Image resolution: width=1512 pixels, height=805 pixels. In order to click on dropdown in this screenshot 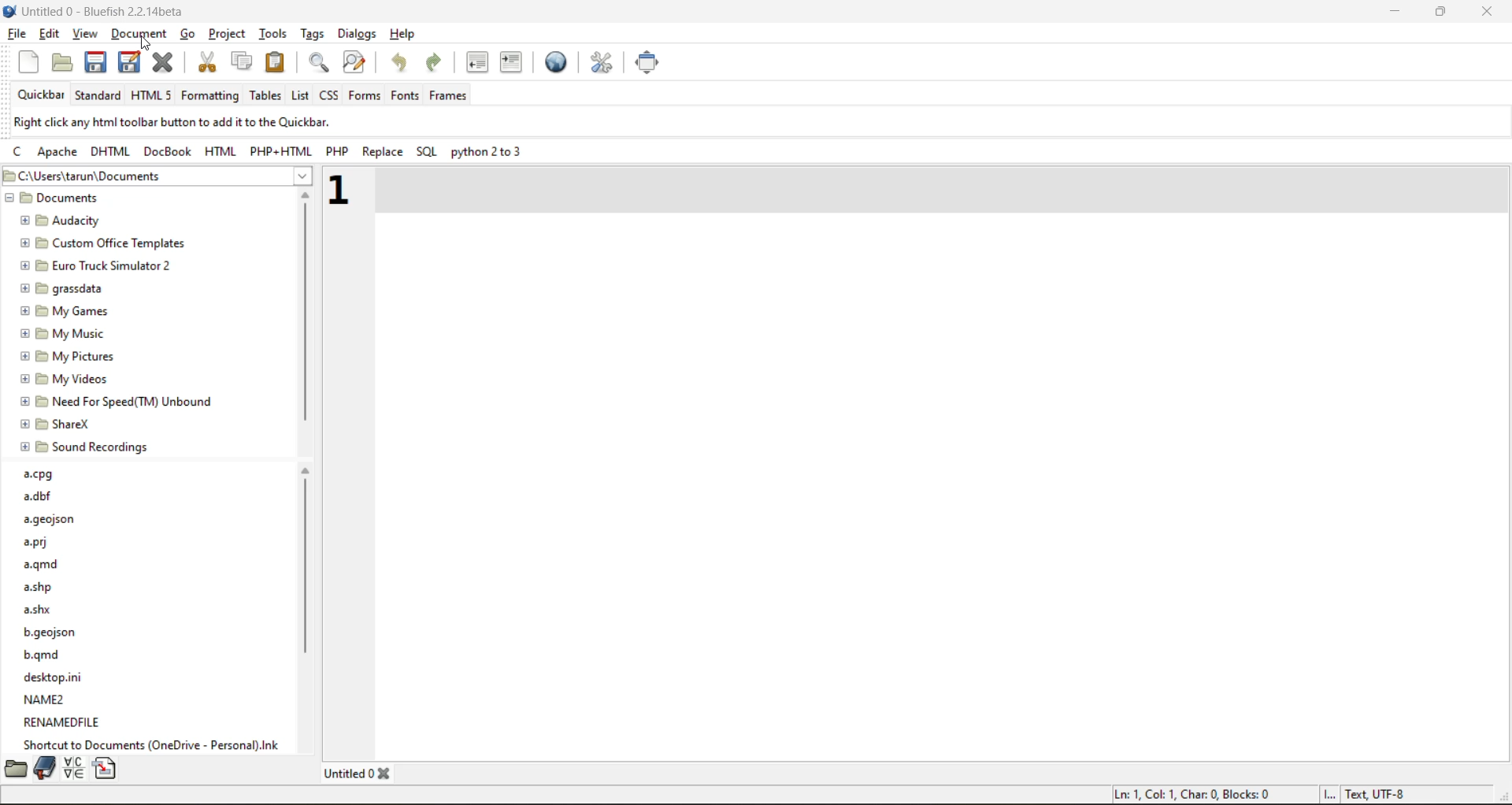, I will do `click(307, 176)`.